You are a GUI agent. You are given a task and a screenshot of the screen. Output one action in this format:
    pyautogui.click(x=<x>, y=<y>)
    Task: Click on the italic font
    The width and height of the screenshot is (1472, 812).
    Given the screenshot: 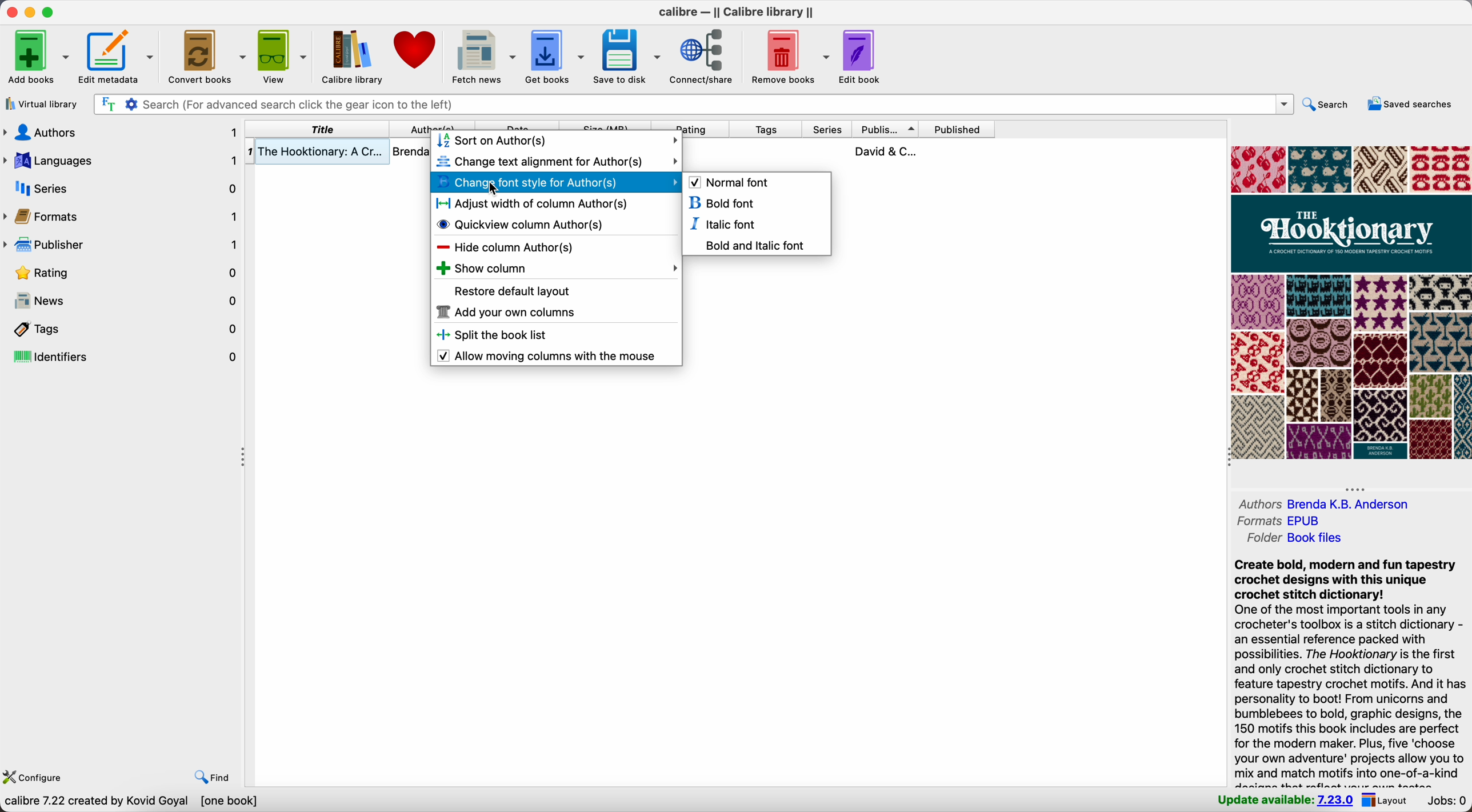 What is the action you would take?
    pyautogui.click(x=724, y=224)
    